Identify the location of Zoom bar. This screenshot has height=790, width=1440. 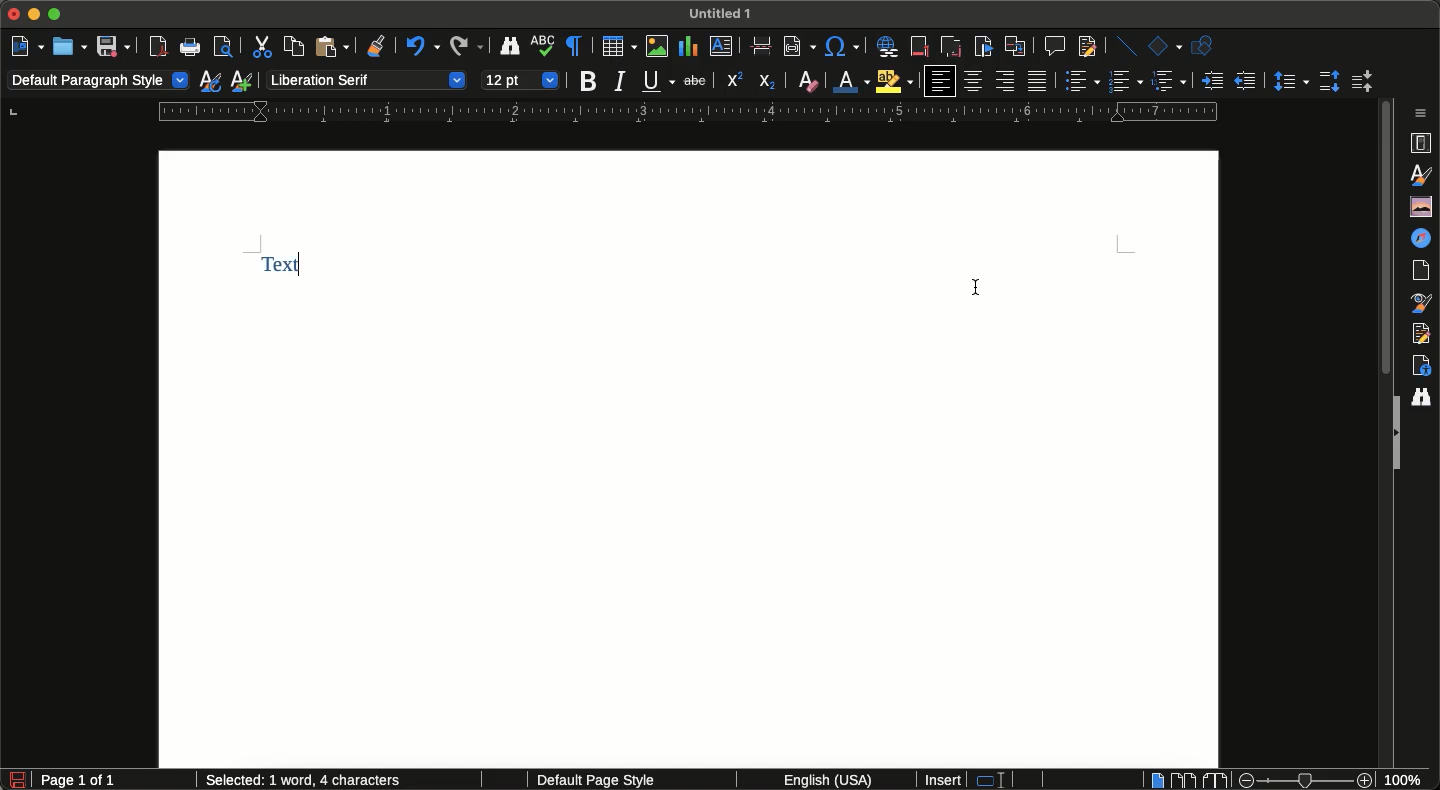
(1303, 780).